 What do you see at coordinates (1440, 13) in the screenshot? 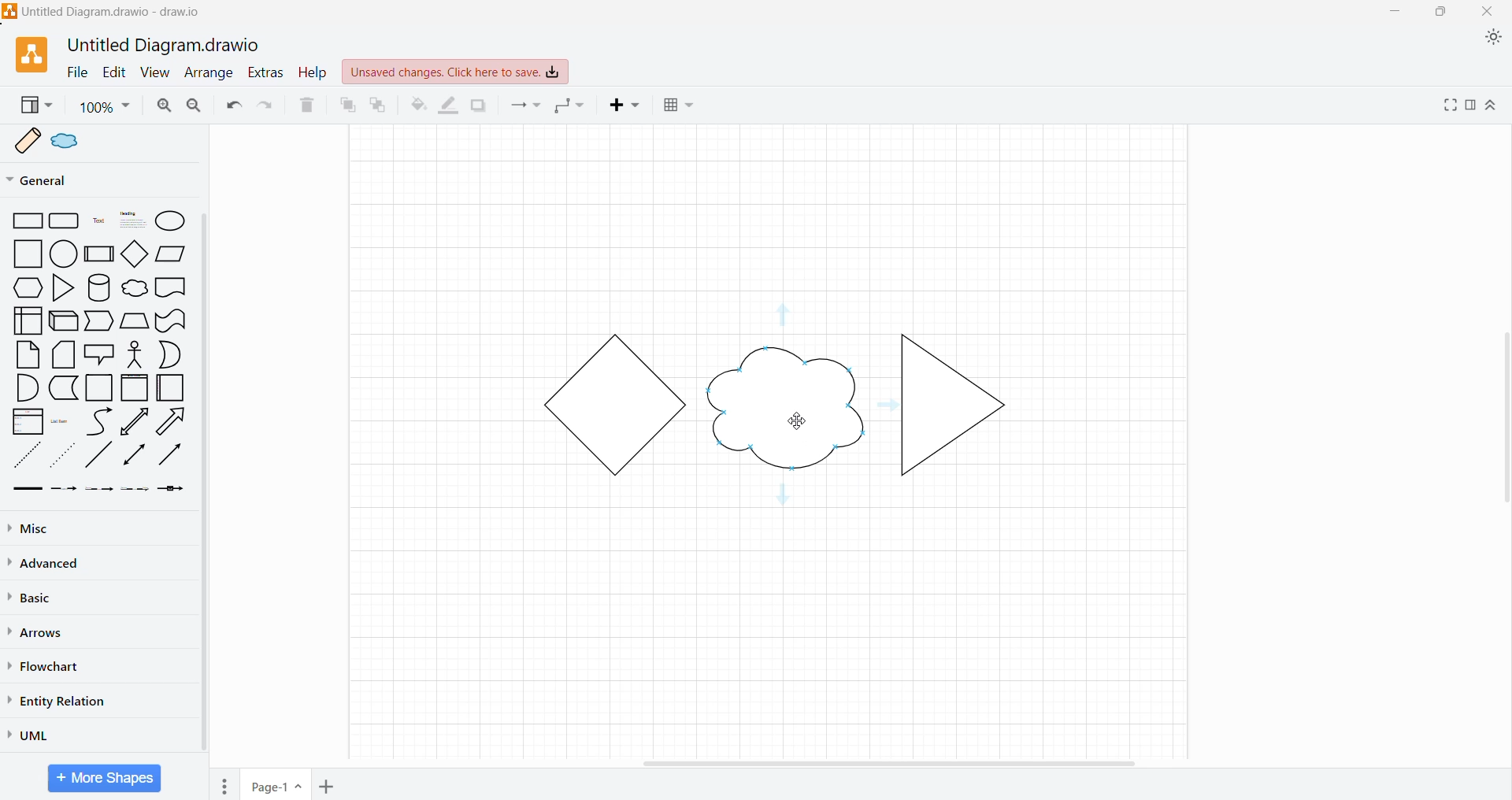
I see `Restore Down` at bounding box center [1440, 13].